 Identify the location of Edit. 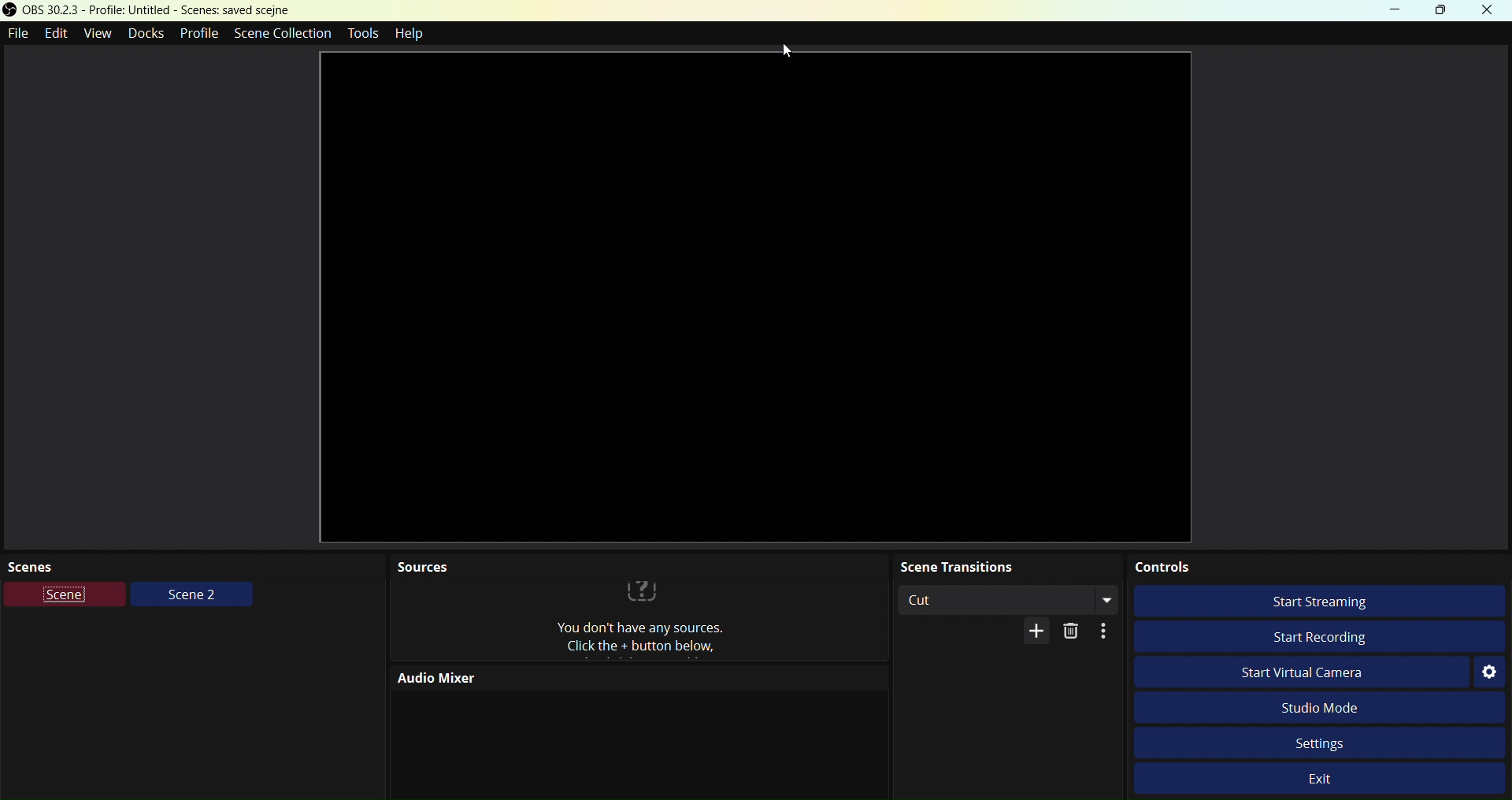
(59, 35).